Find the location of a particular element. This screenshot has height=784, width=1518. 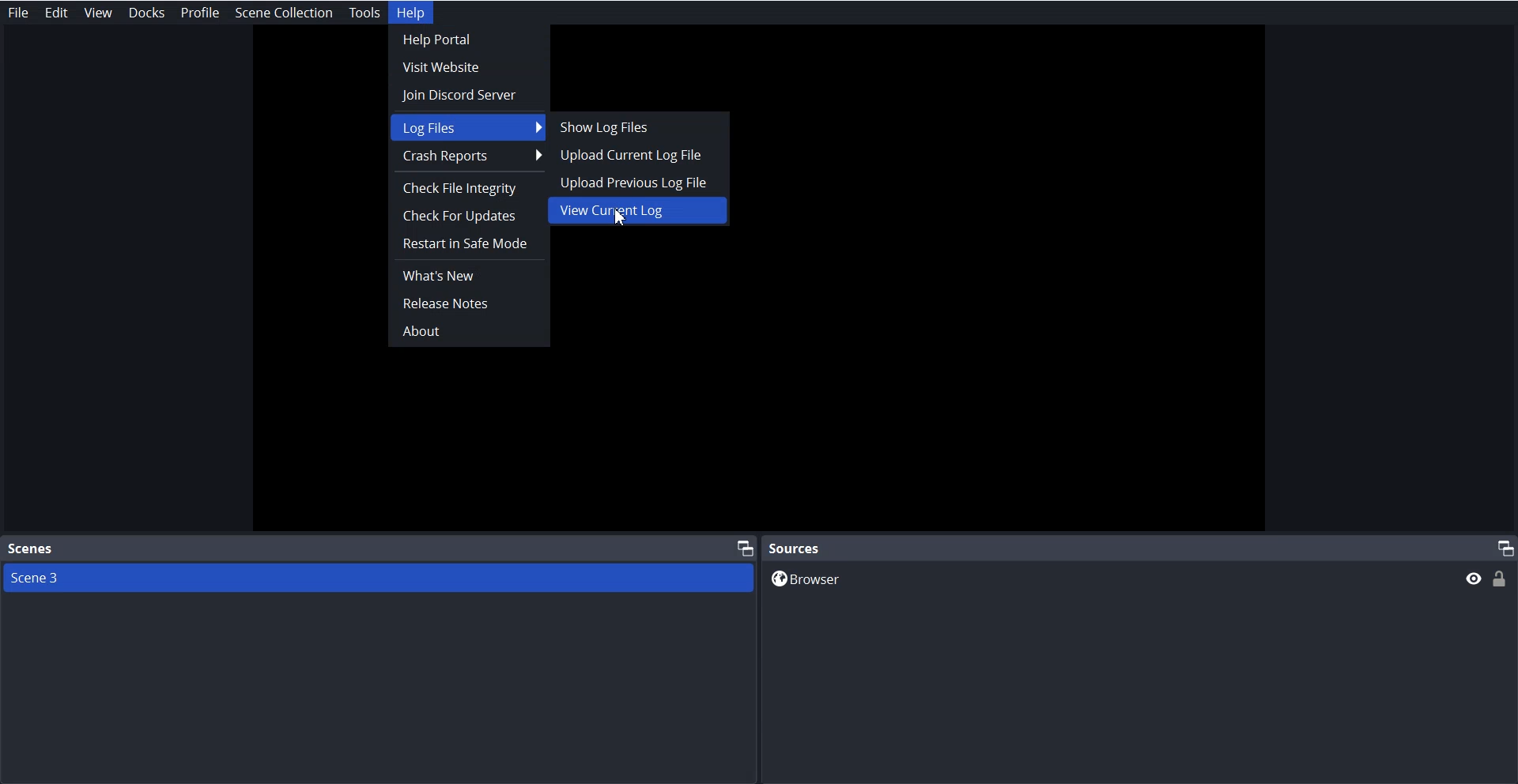

View Current Log is located at coordinates (640, 212).